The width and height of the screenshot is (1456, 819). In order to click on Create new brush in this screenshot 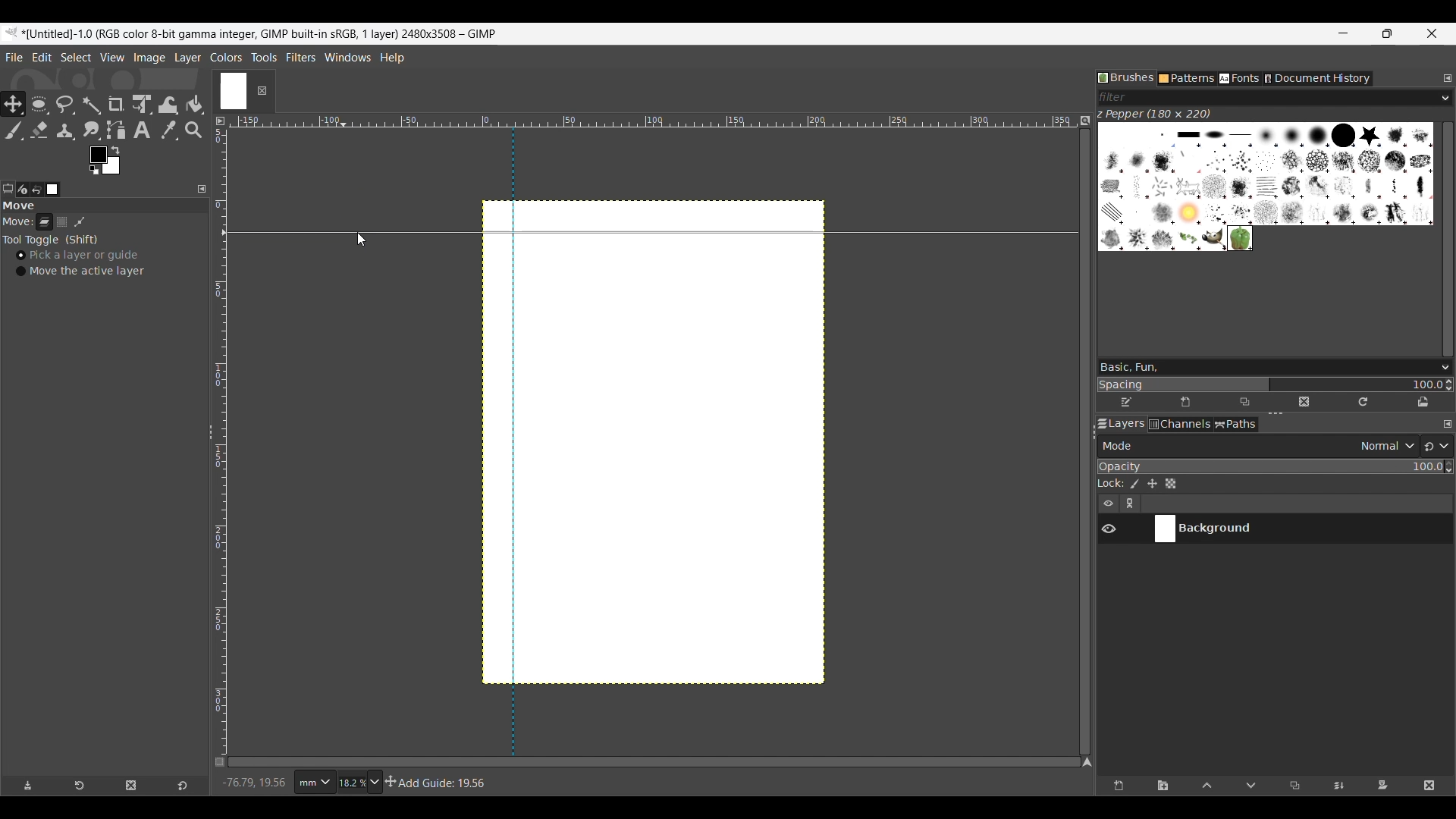, I will do `click(1185, 403)`.